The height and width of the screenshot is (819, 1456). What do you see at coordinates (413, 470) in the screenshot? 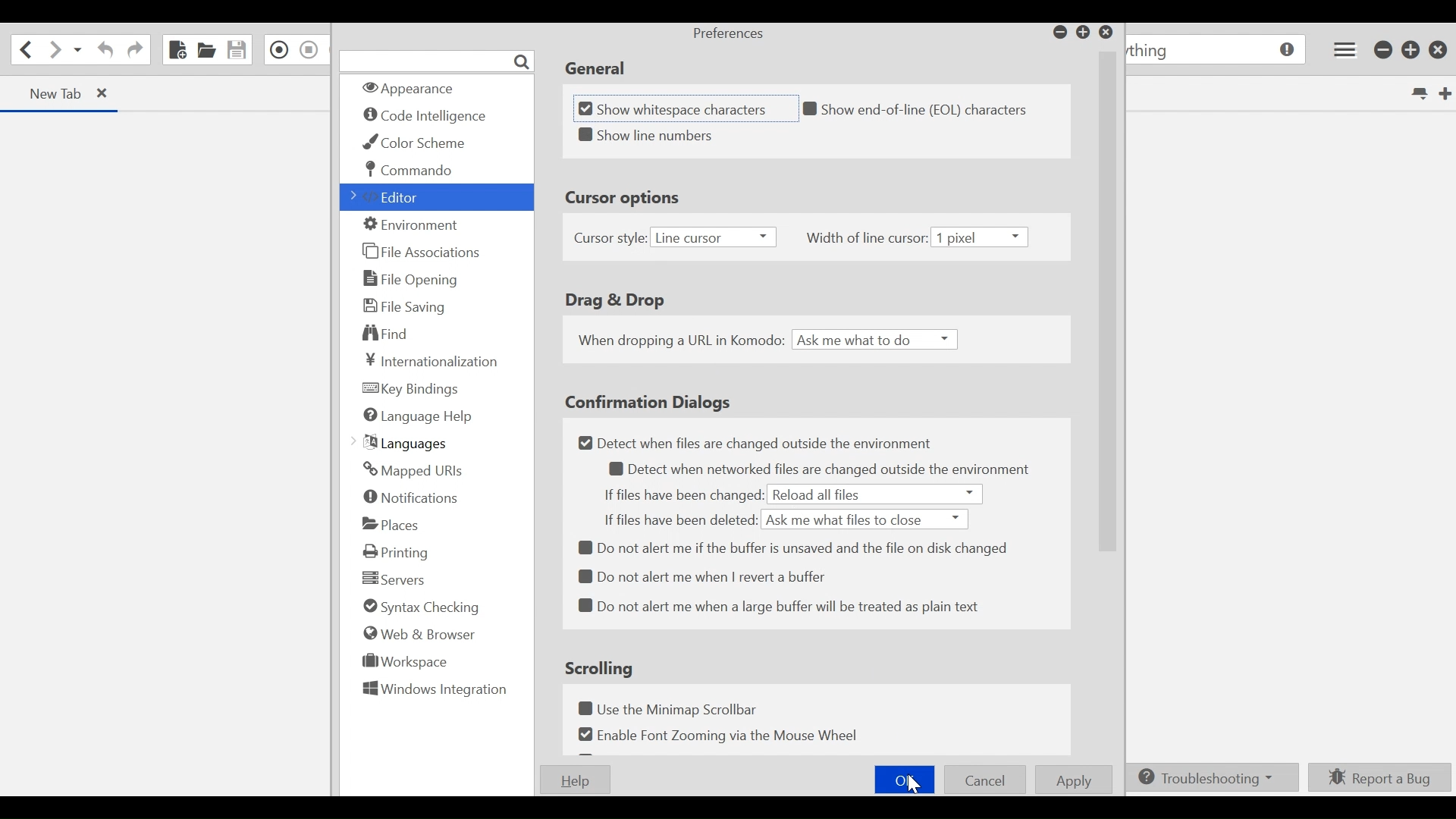
I see `Mapped URLs` at bounding box center [413, 470].